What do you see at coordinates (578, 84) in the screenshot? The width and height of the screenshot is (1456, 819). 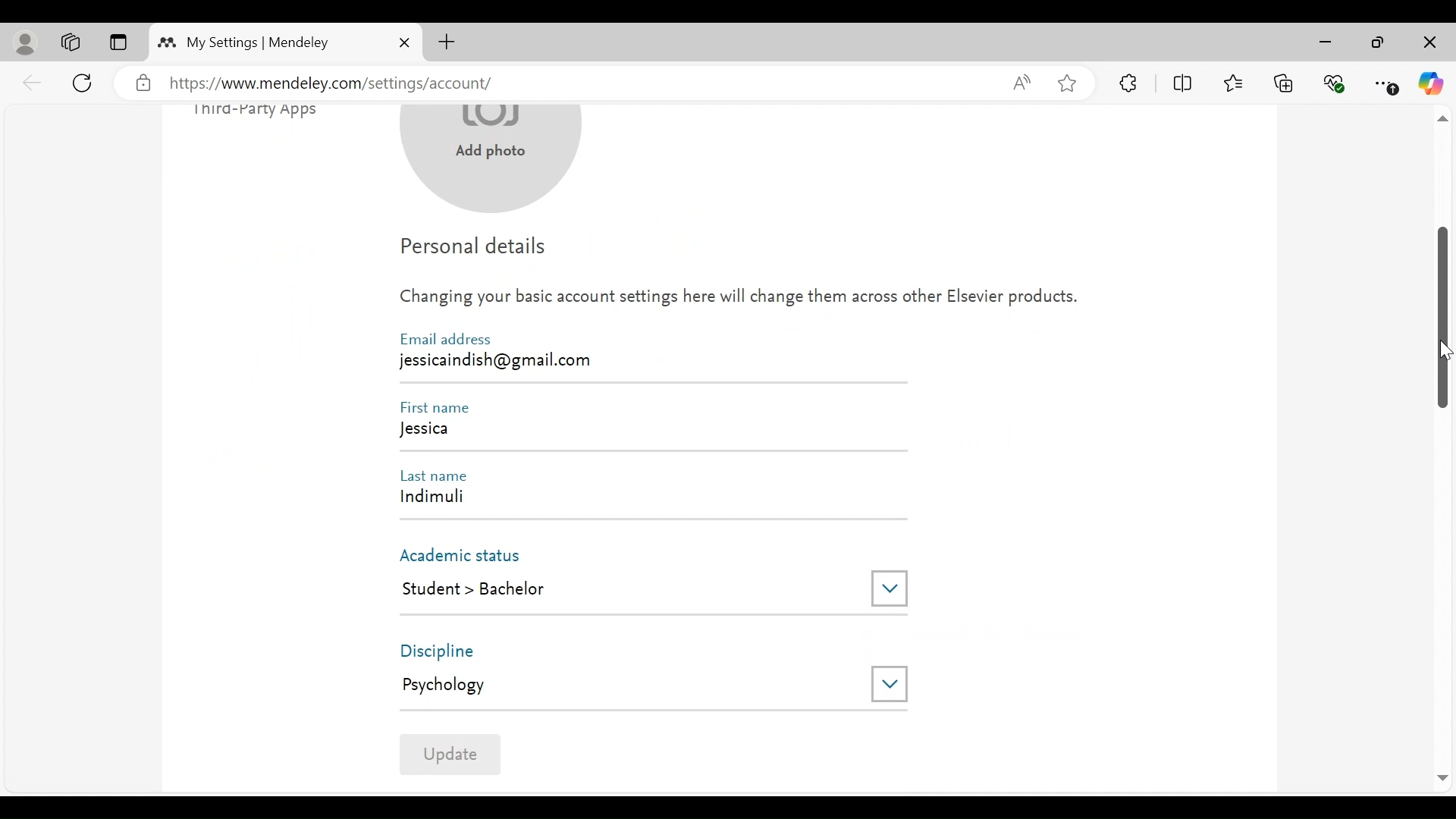 I see `https://www.mendeley.com/settings/account/` at bounding box center [578, 84].